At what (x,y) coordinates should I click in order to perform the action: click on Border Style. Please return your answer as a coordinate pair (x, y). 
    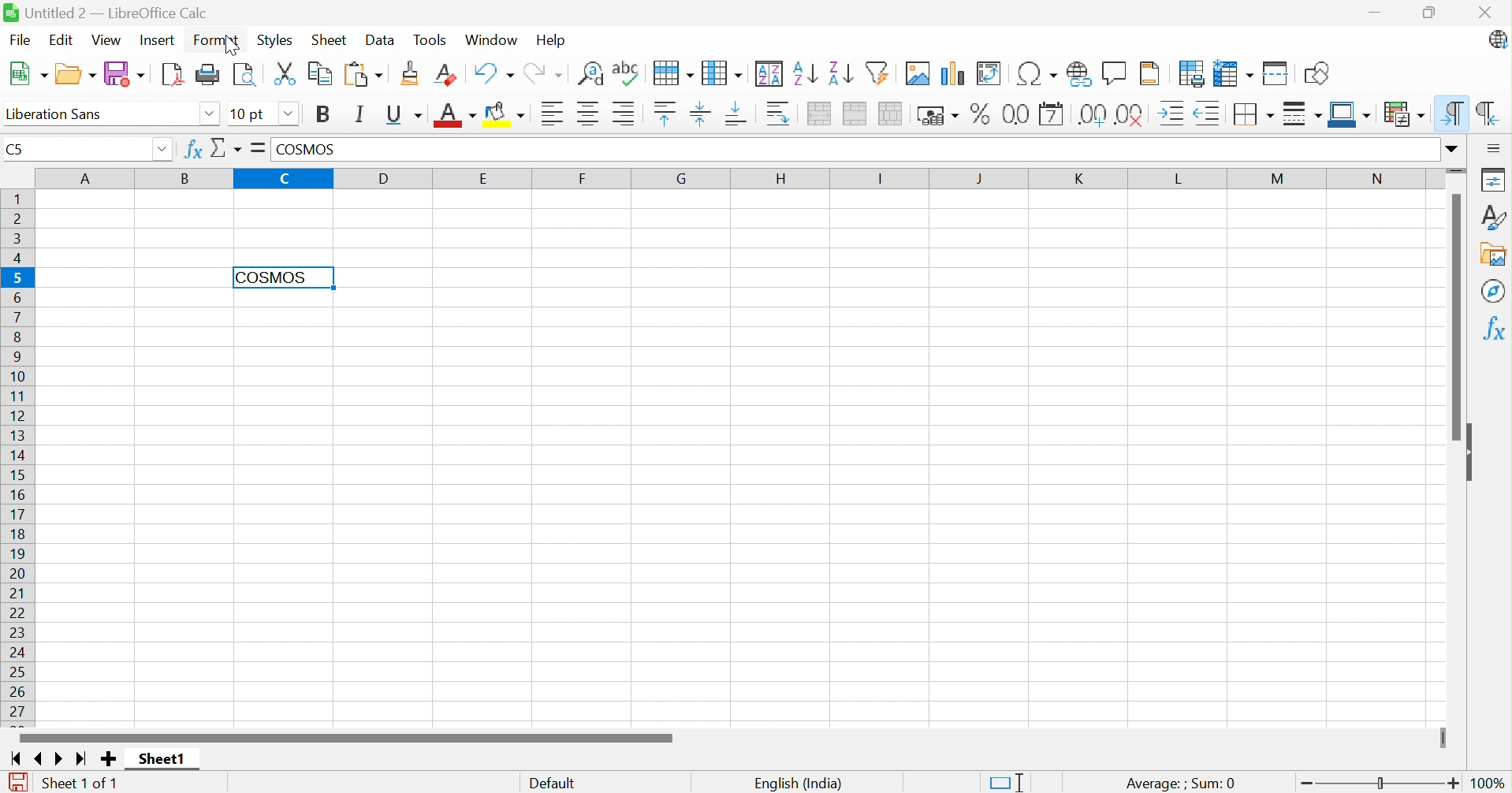
    Looking at the image, I should click on (1304, 116).